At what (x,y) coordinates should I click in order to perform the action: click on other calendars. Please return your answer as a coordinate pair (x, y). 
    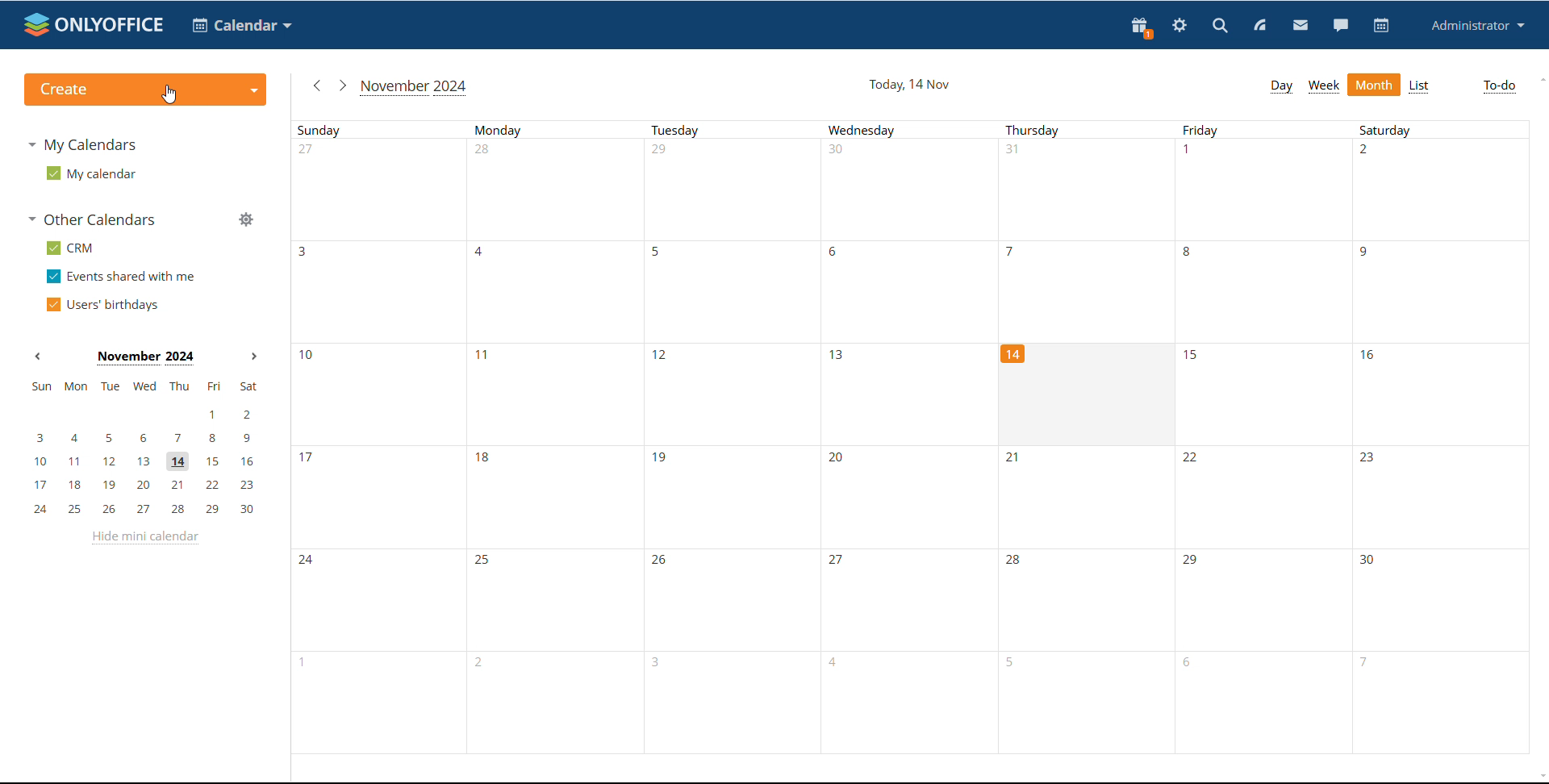
    Looking at the image, I should click on (94, 219).